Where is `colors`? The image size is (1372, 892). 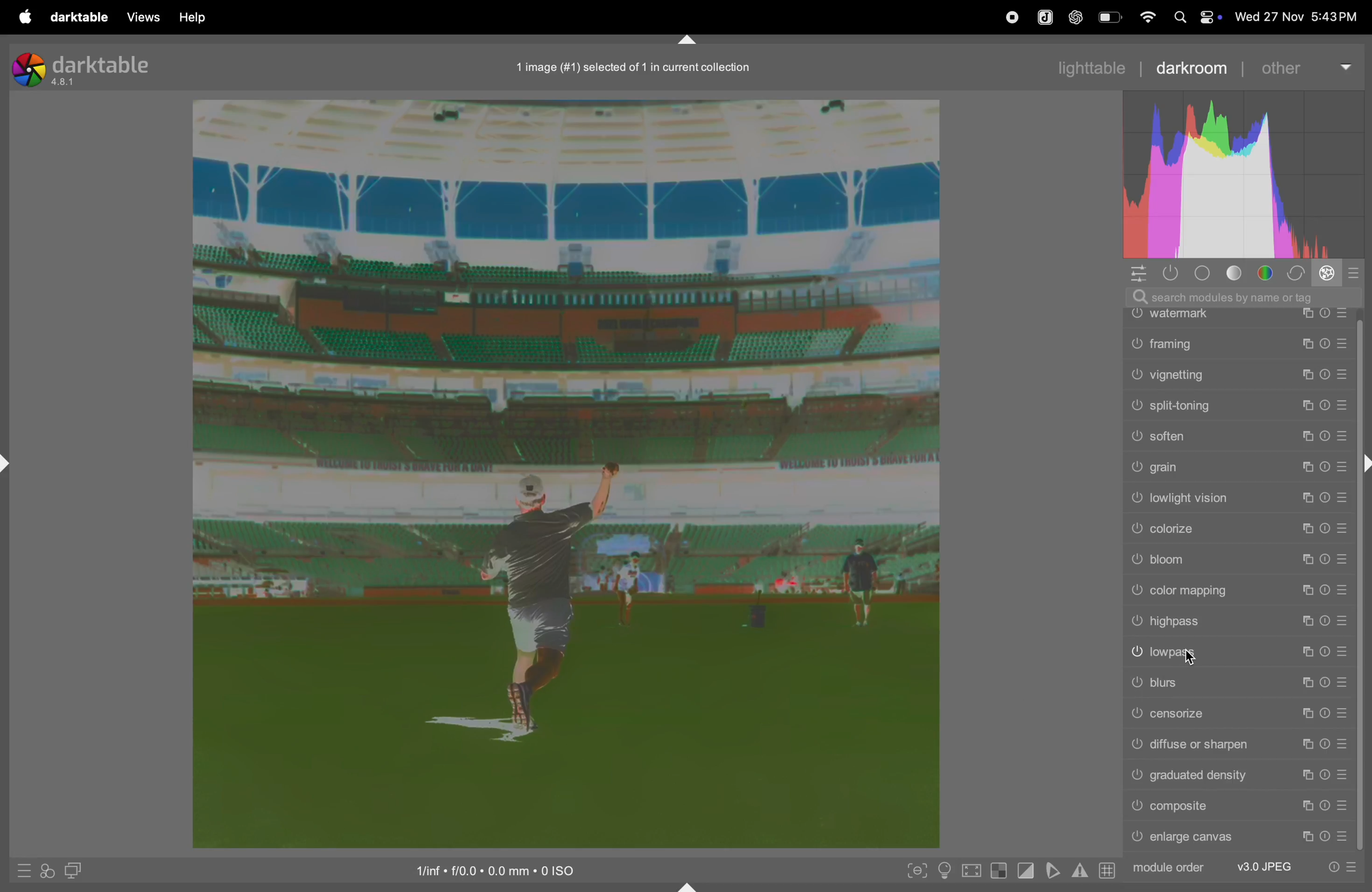
colors is located at coordinates (1267, 273).